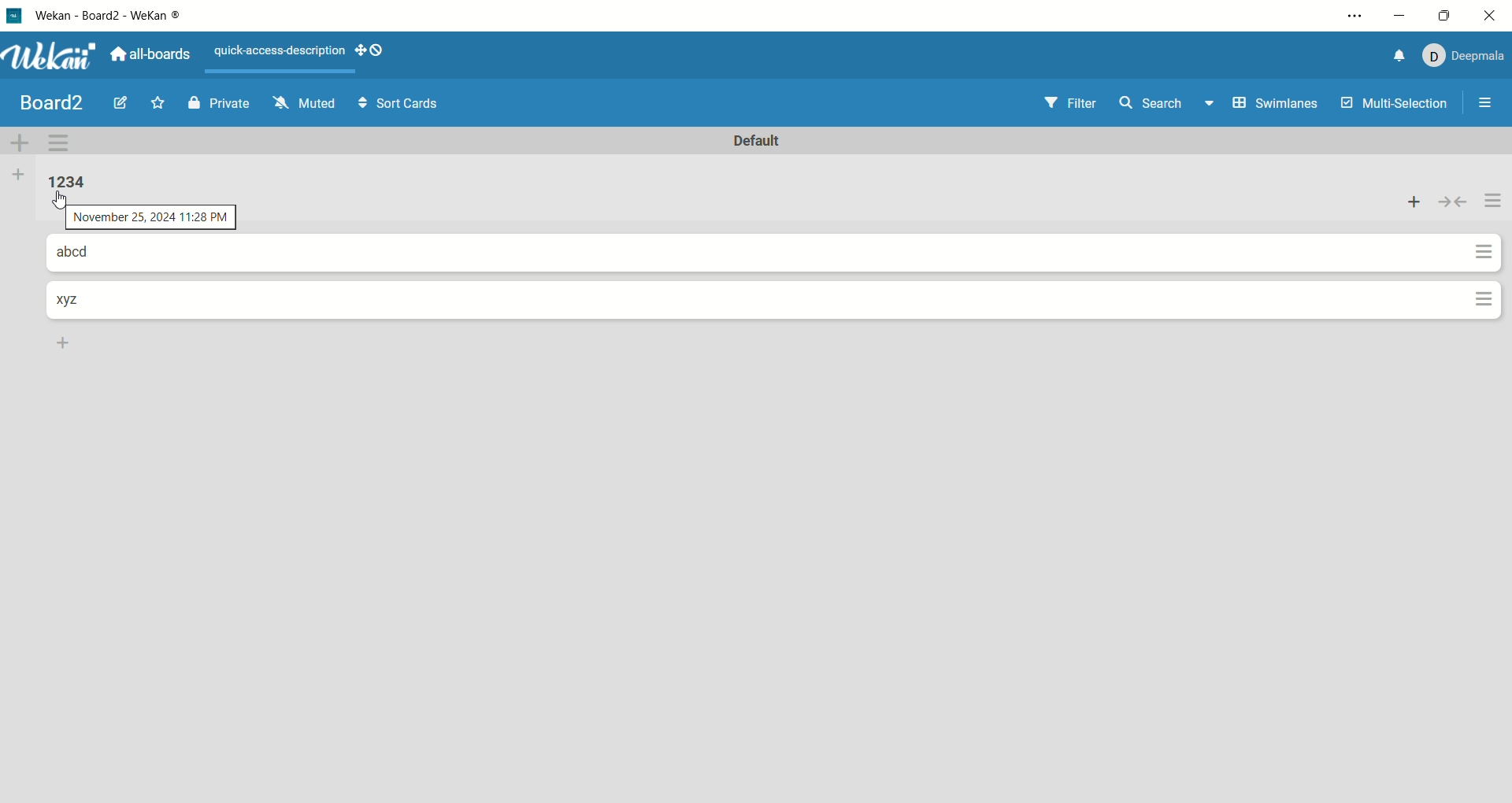  Describe the element at coordinates (93, 255) in the screenshot. I see `list title` at that location.